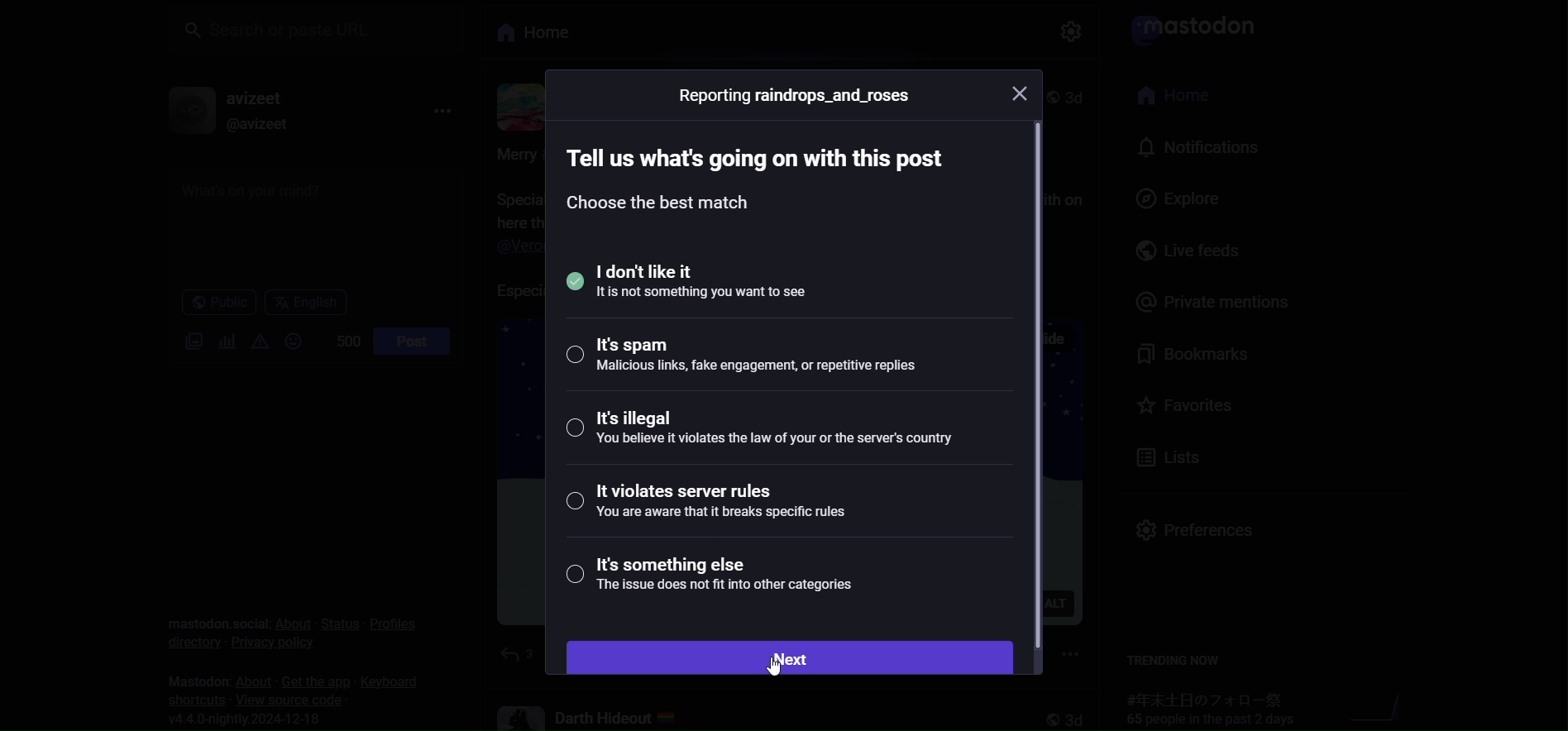  What do you see at coordinates (712, 501) in the screenshot?
I see `violates server rules` at bounding box center [712, 501].